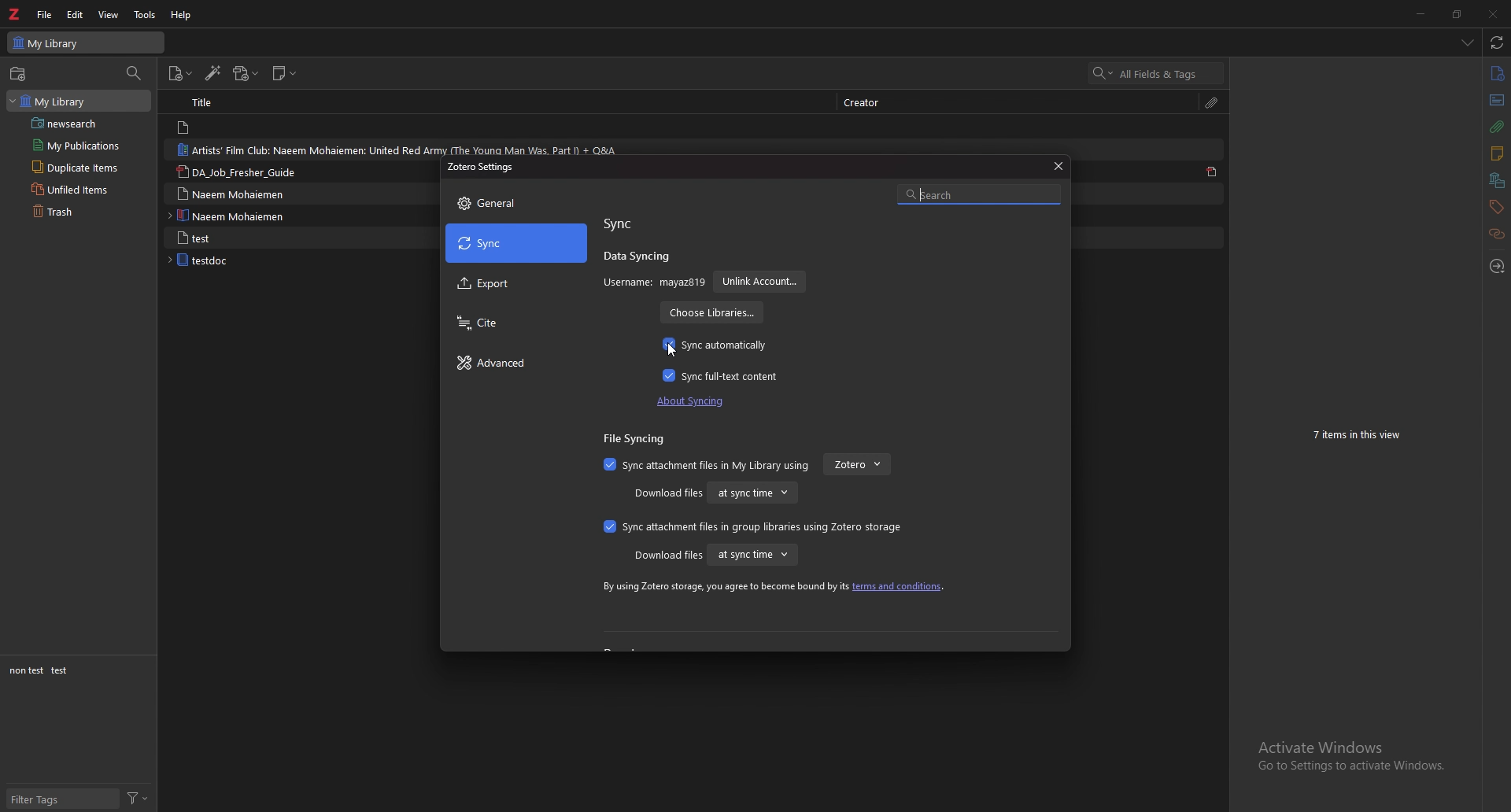 The width and height of the screenshot is (1511, 812). What do you see at coordinates (1495, 153) in the screenshot?
I see `notes` at bounding box center [1495, 153].